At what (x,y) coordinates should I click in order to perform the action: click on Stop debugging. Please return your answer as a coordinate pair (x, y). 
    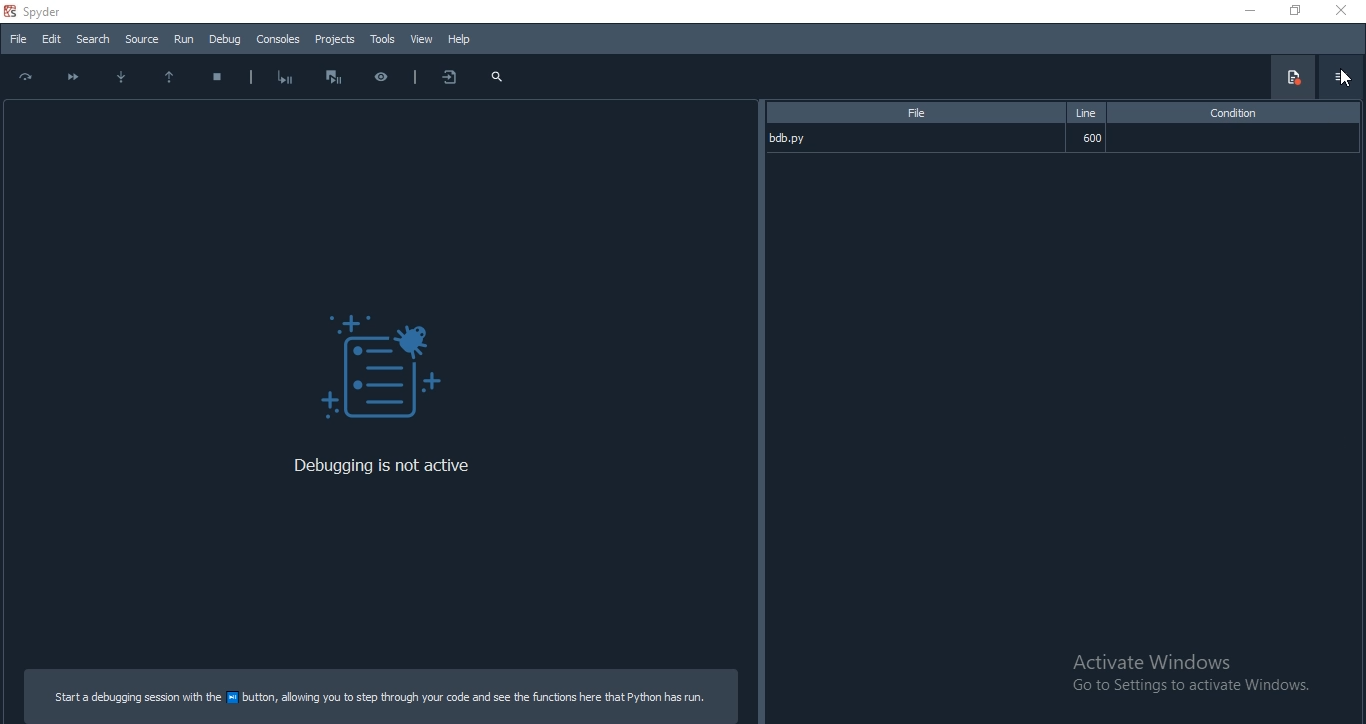
    Looking at the image, I should click on (218, 80).